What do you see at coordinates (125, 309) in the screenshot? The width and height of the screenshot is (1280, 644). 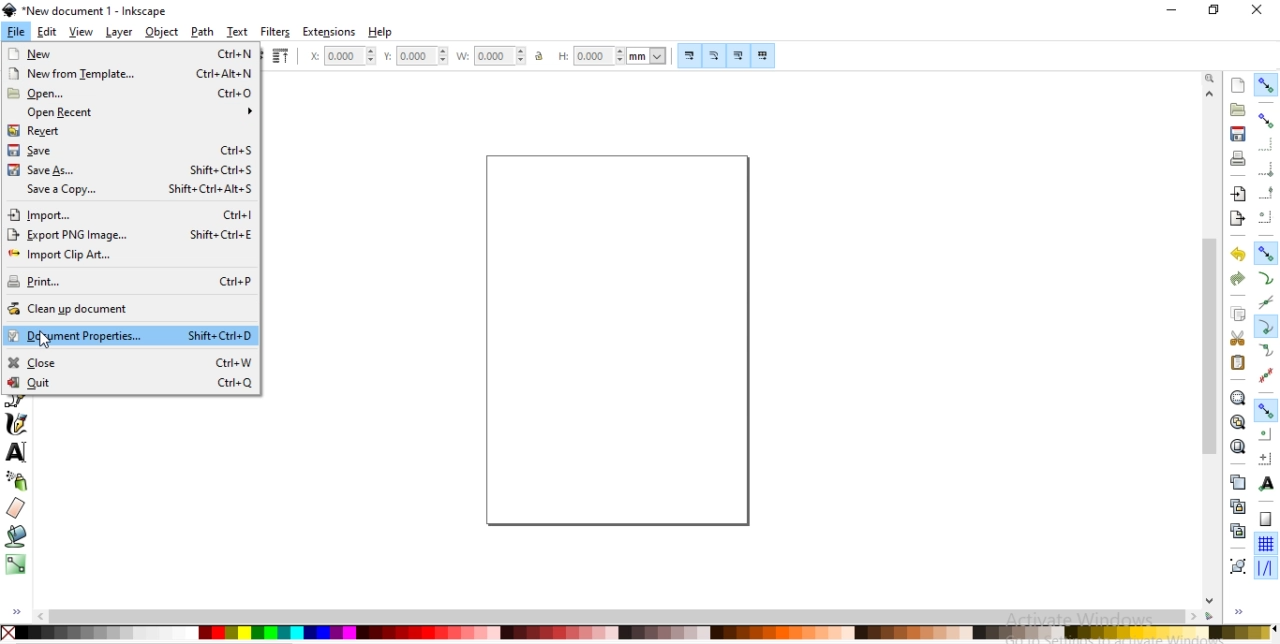 I see `clean up document` at bounding box center [125, 309].